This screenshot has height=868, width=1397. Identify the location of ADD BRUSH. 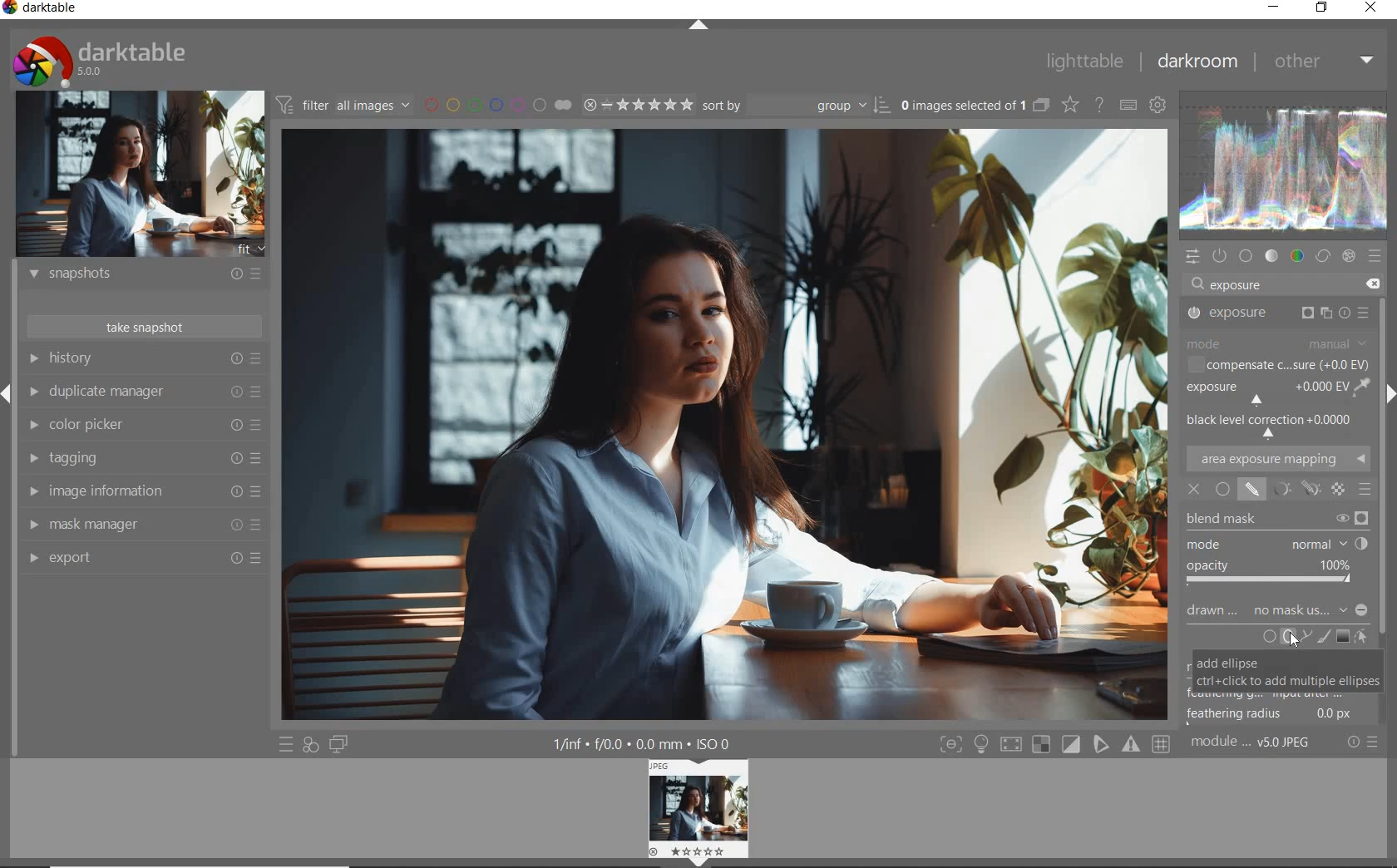
(1322, 637).